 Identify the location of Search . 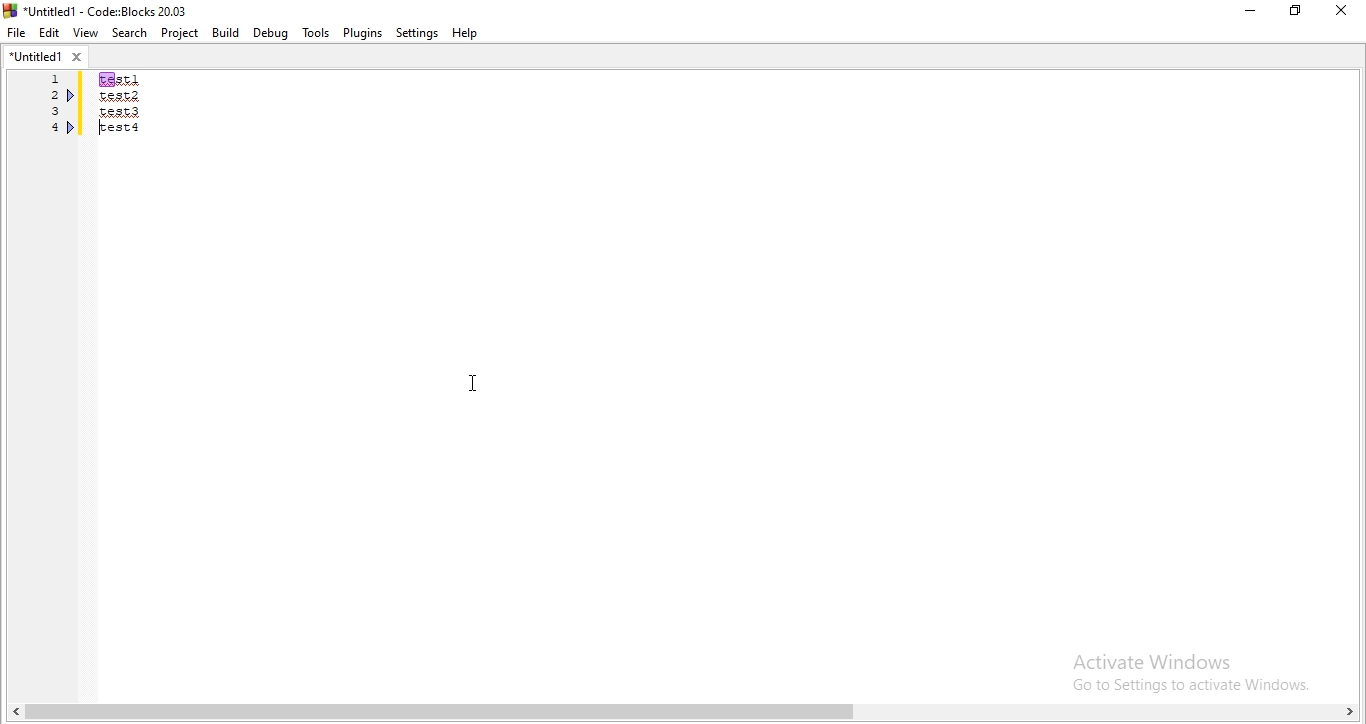
(127, 32).